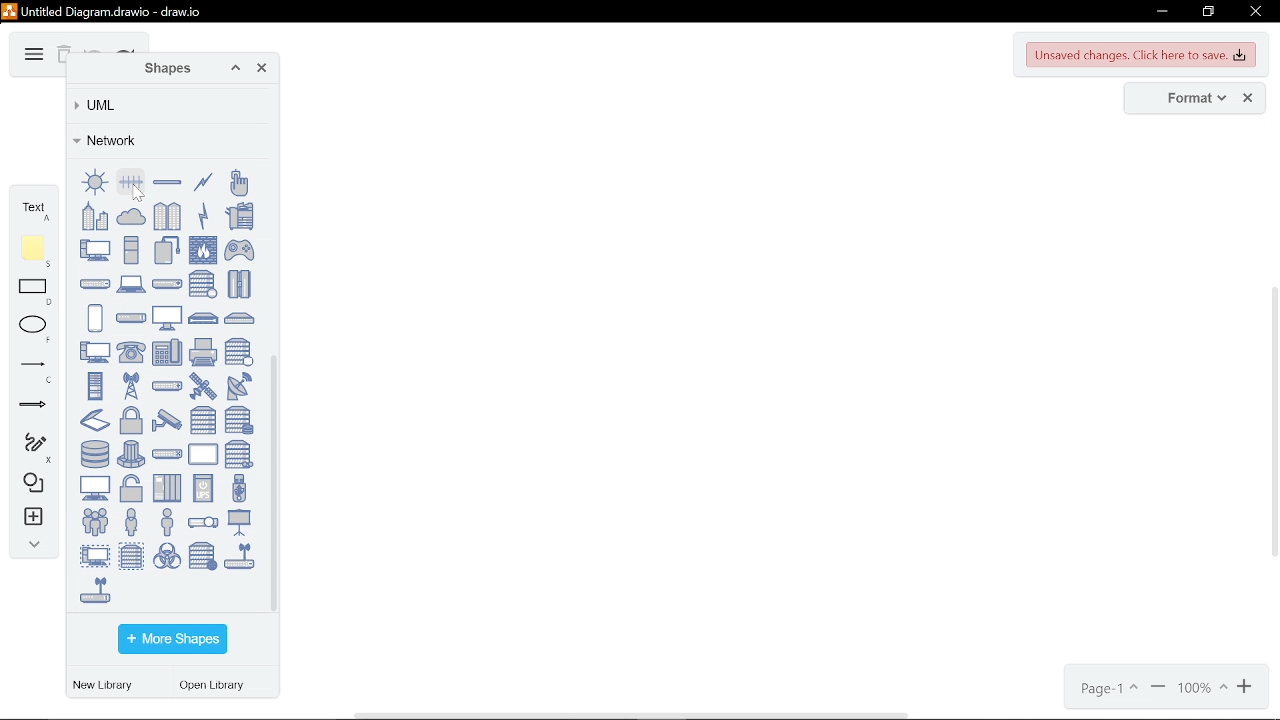 The width and height of the screenshot is (1280, 720). What do you see at coordinates (31, 519) in the screenshot?
I see `insert` at bounding box center [31, 519].